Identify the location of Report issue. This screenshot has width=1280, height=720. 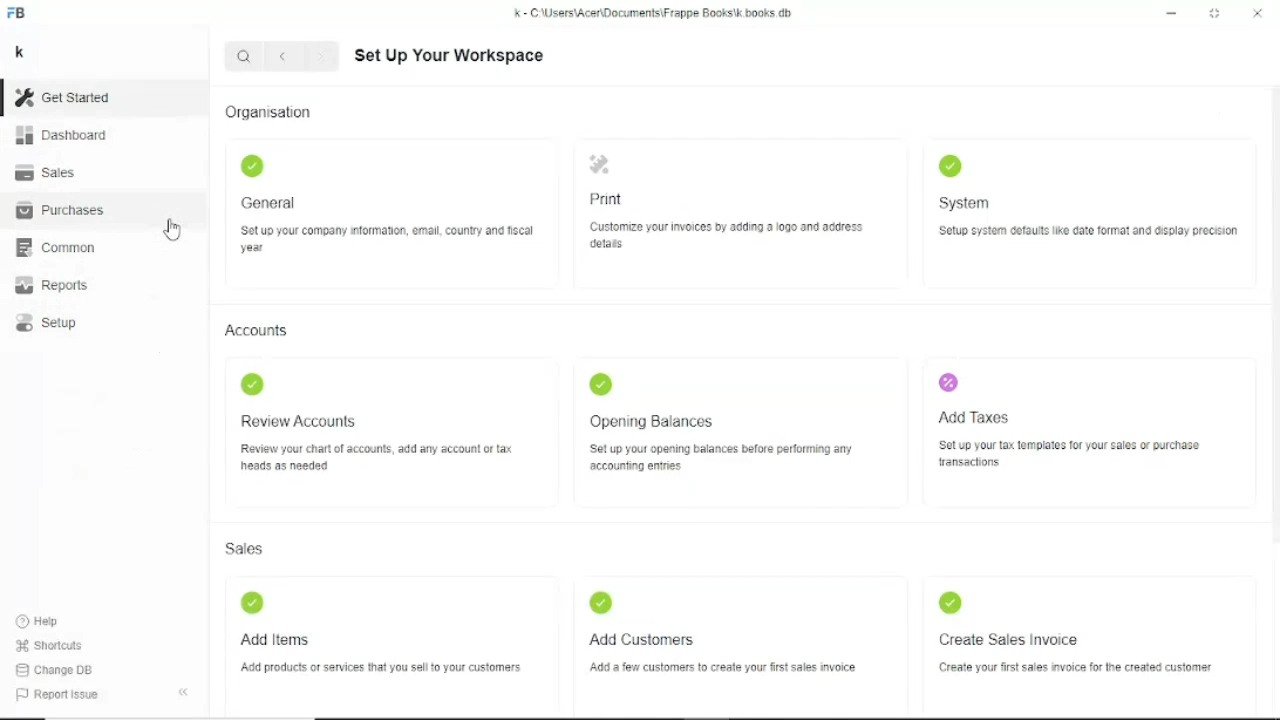
(56, 696).